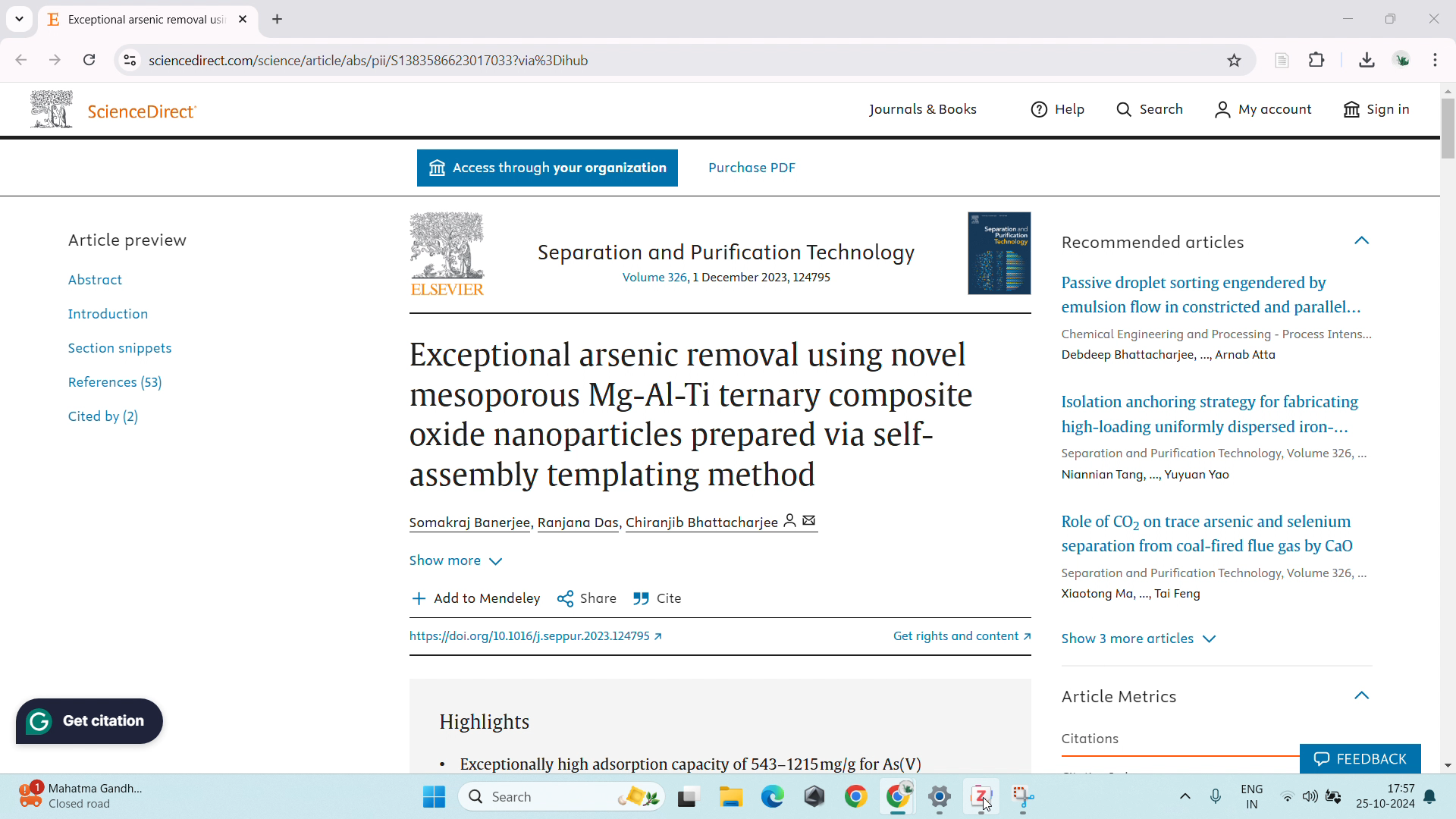 The width and height of the screenshot is (1456, 819). What do you see at coordinates (752, 167) in the screenshot?
I see `Purchase PDF` at bounding box center [752, 167].